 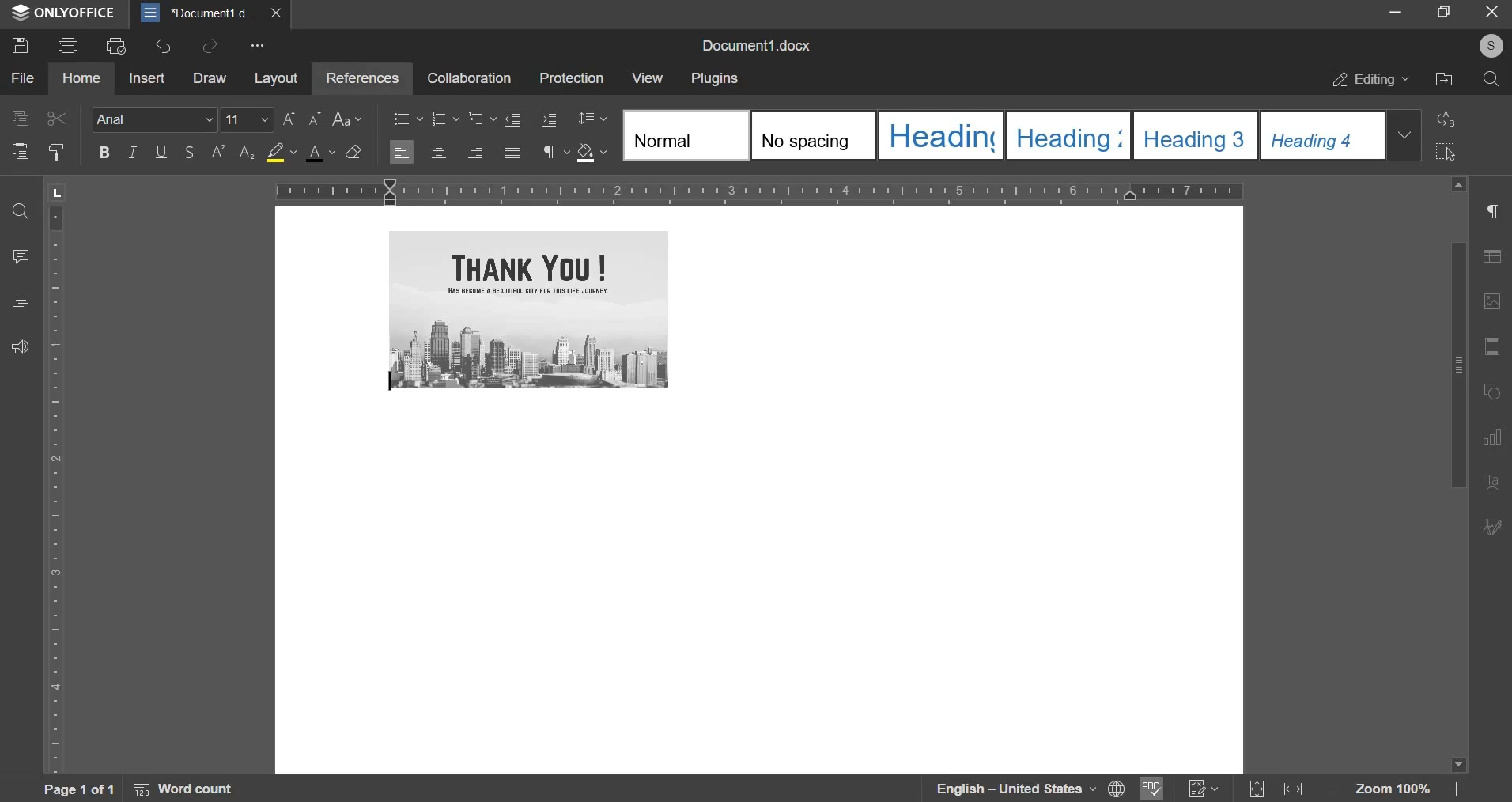 I want to click on font size, so click(x=274, y=119).